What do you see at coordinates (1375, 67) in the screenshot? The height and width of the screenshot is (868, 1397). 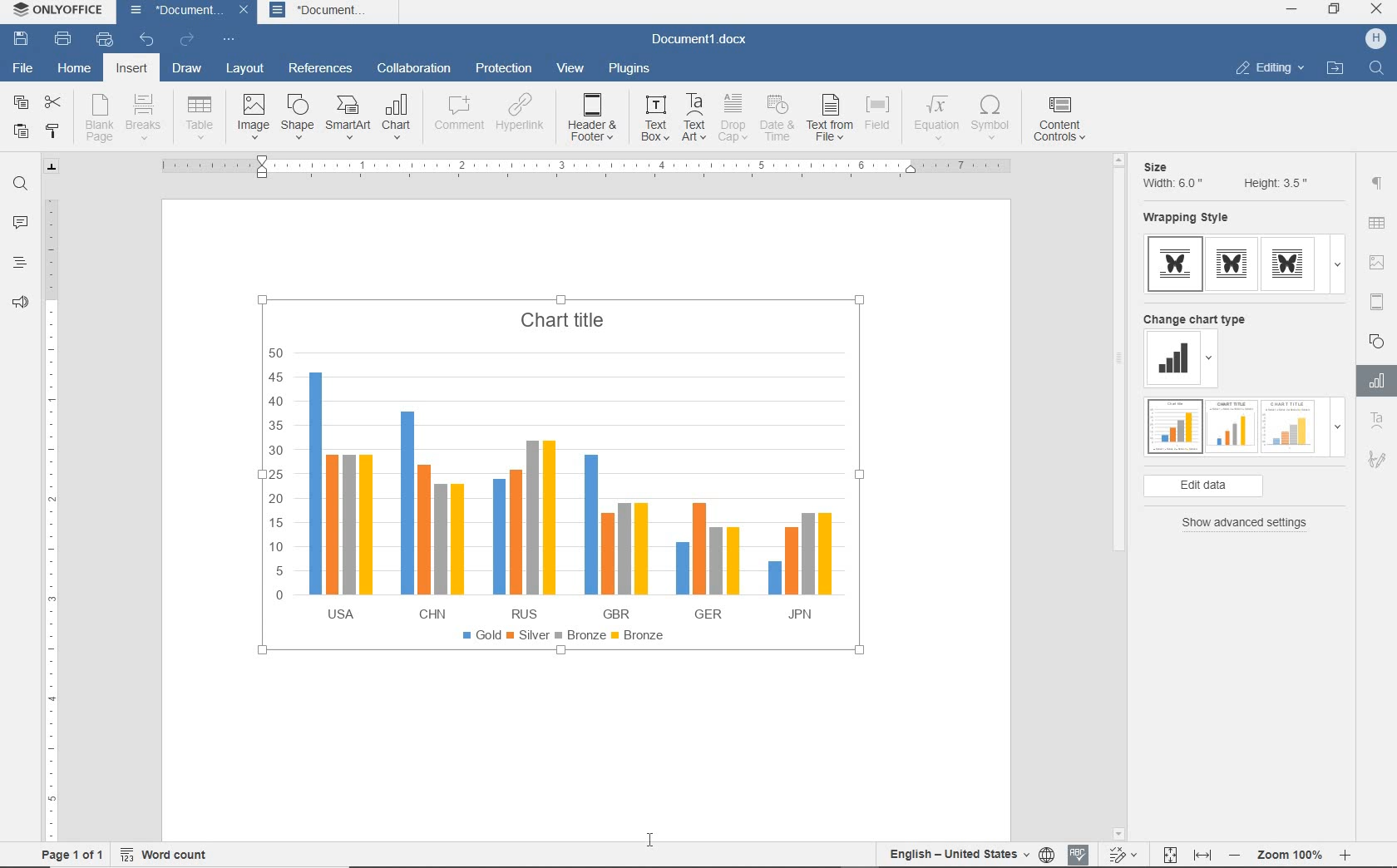 I see `find` at bounding box center [1375, 67].